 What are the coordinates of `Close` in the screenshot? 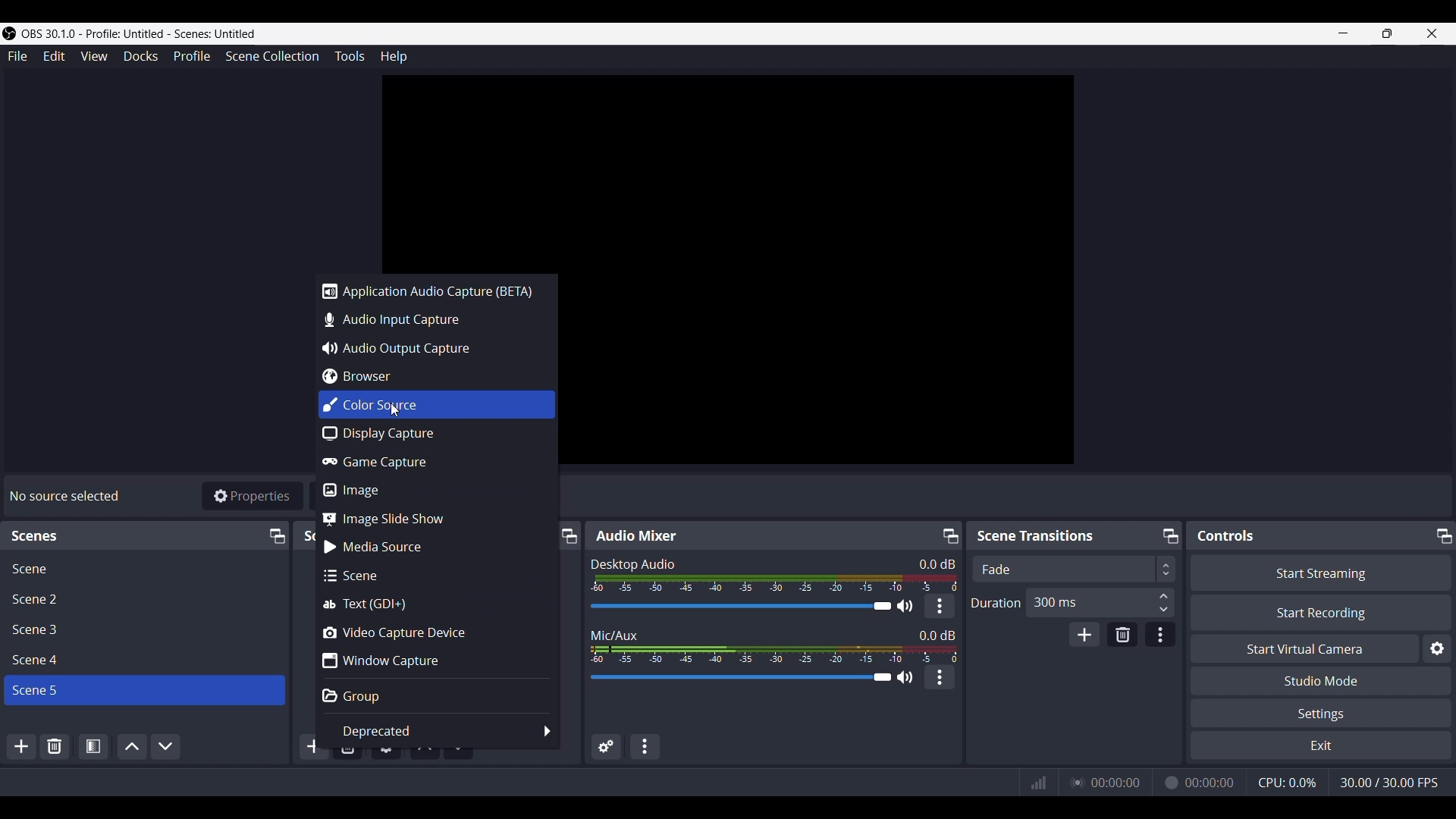 It's located at (1434, 33).